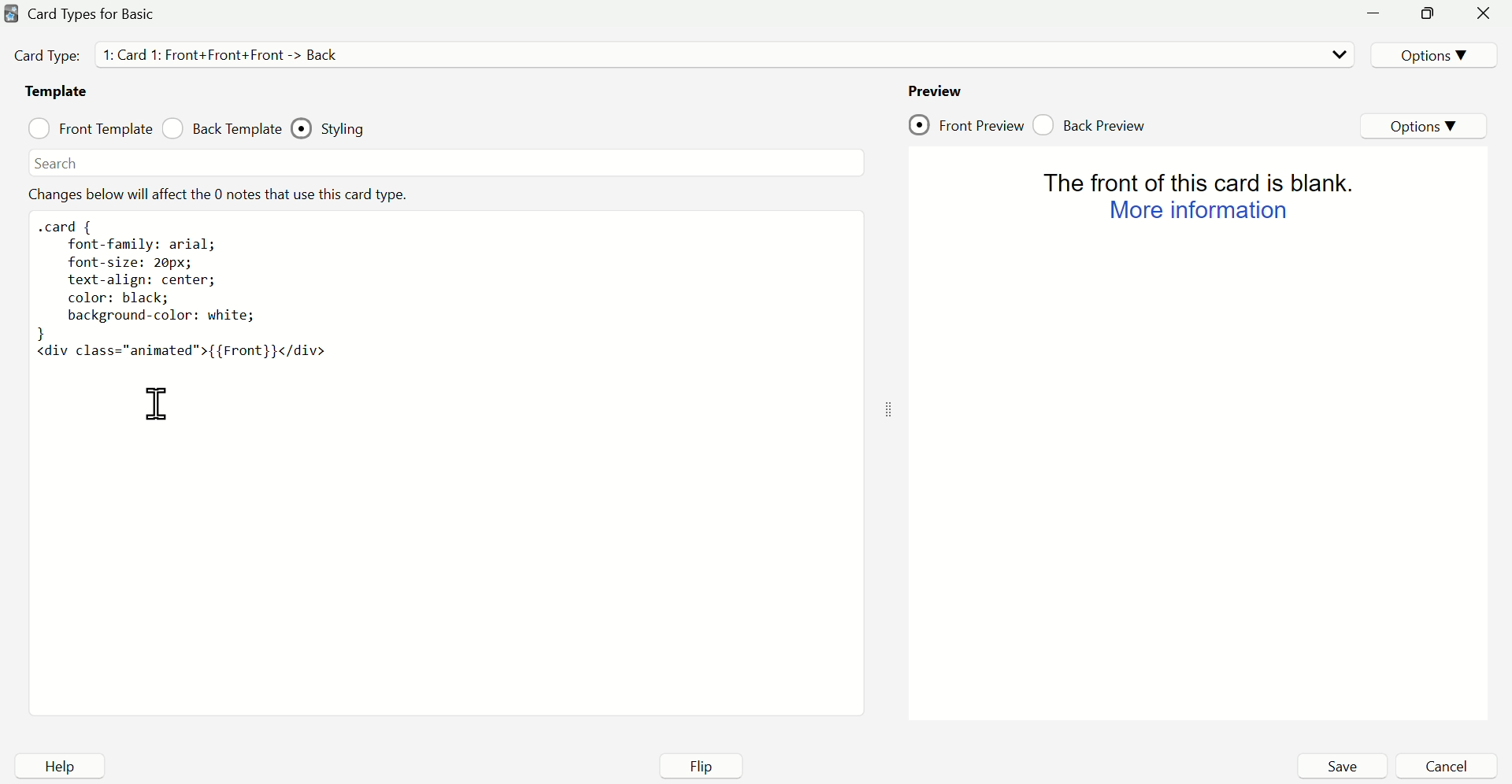  I want to click on Card Type, so click(98, 15).